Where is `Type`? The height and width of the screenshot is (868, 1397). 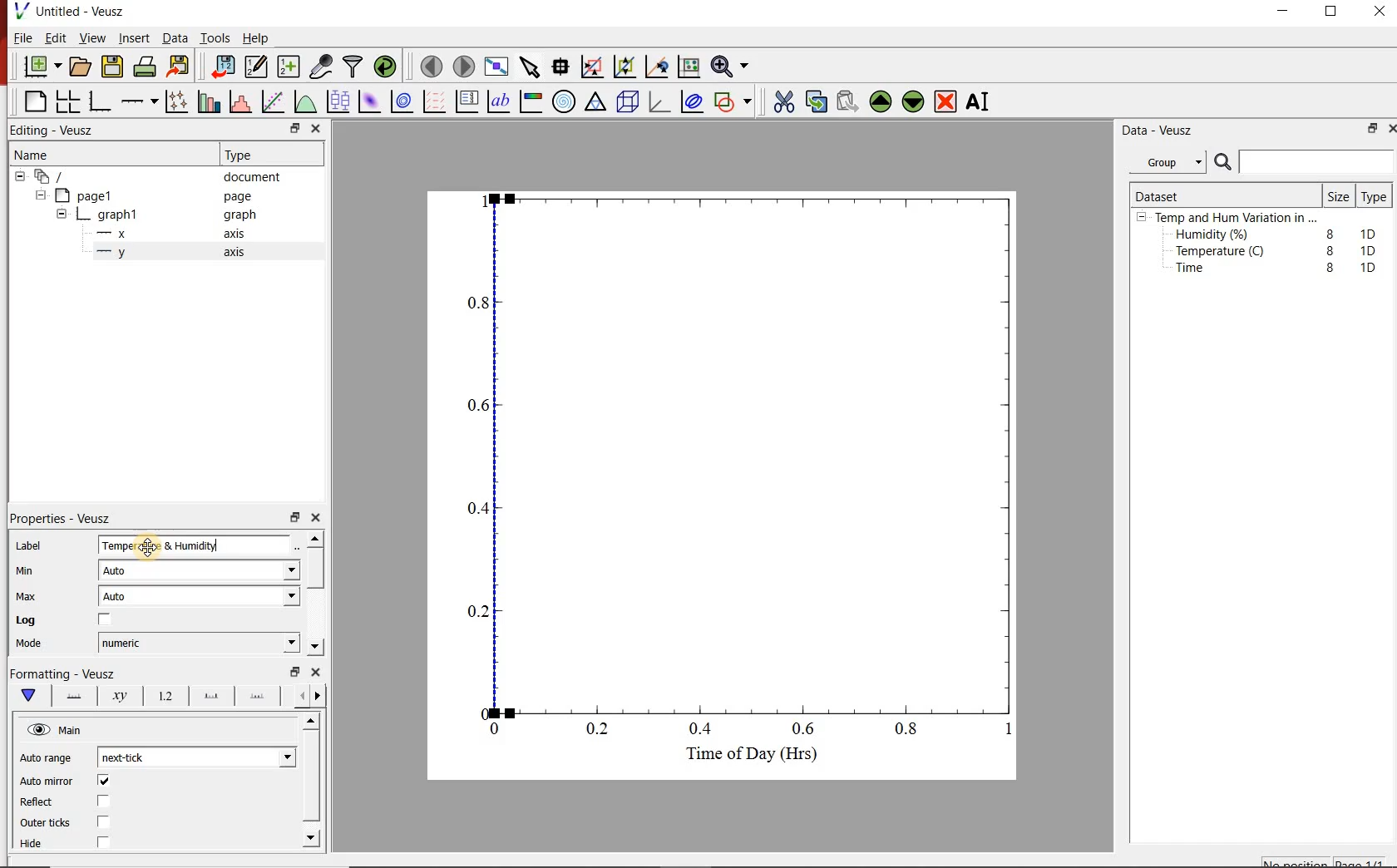
Type is located at coordinates (249, 155).